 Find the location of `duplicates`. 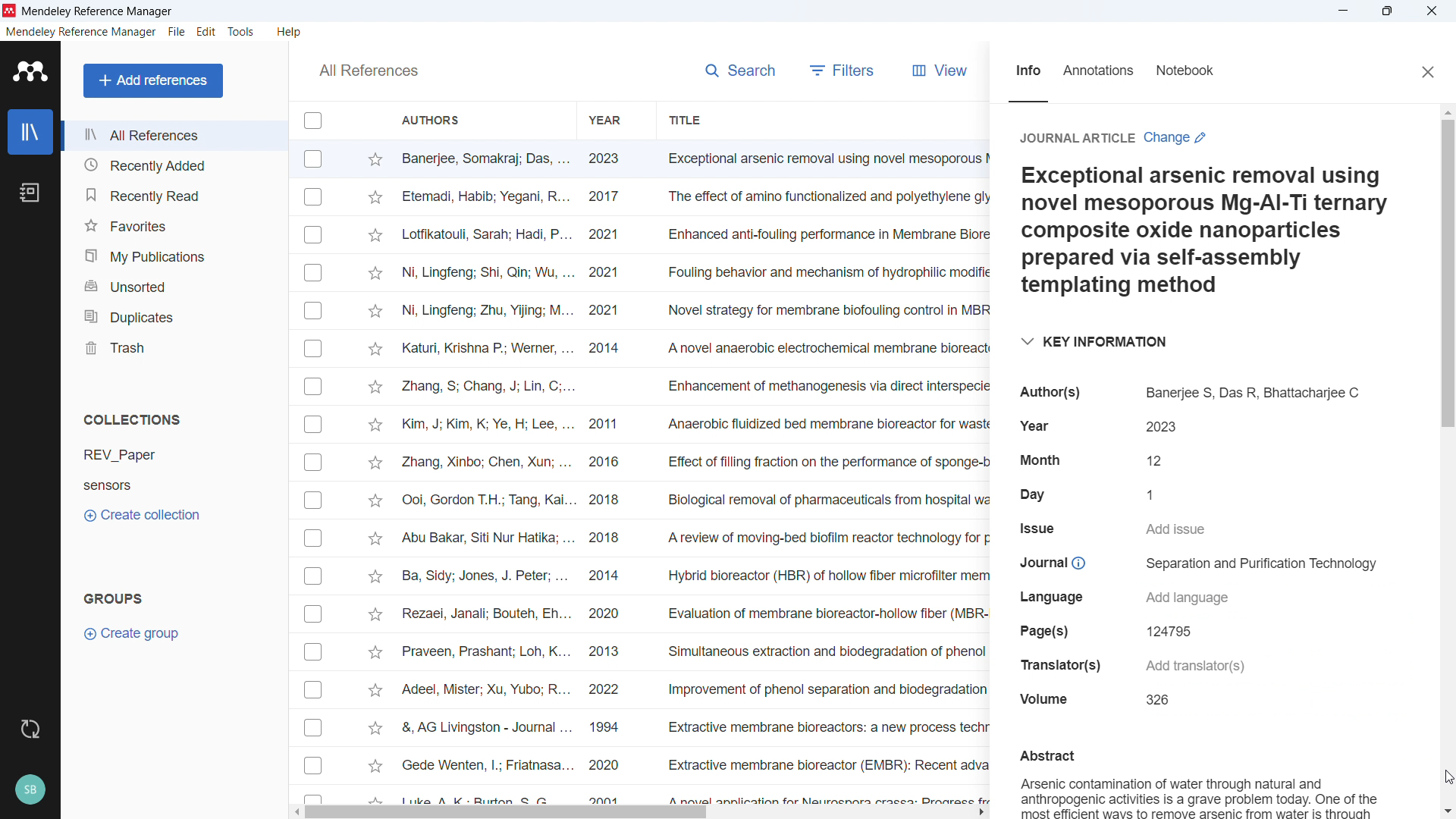

duplicates is located at coordinates (173, 315).